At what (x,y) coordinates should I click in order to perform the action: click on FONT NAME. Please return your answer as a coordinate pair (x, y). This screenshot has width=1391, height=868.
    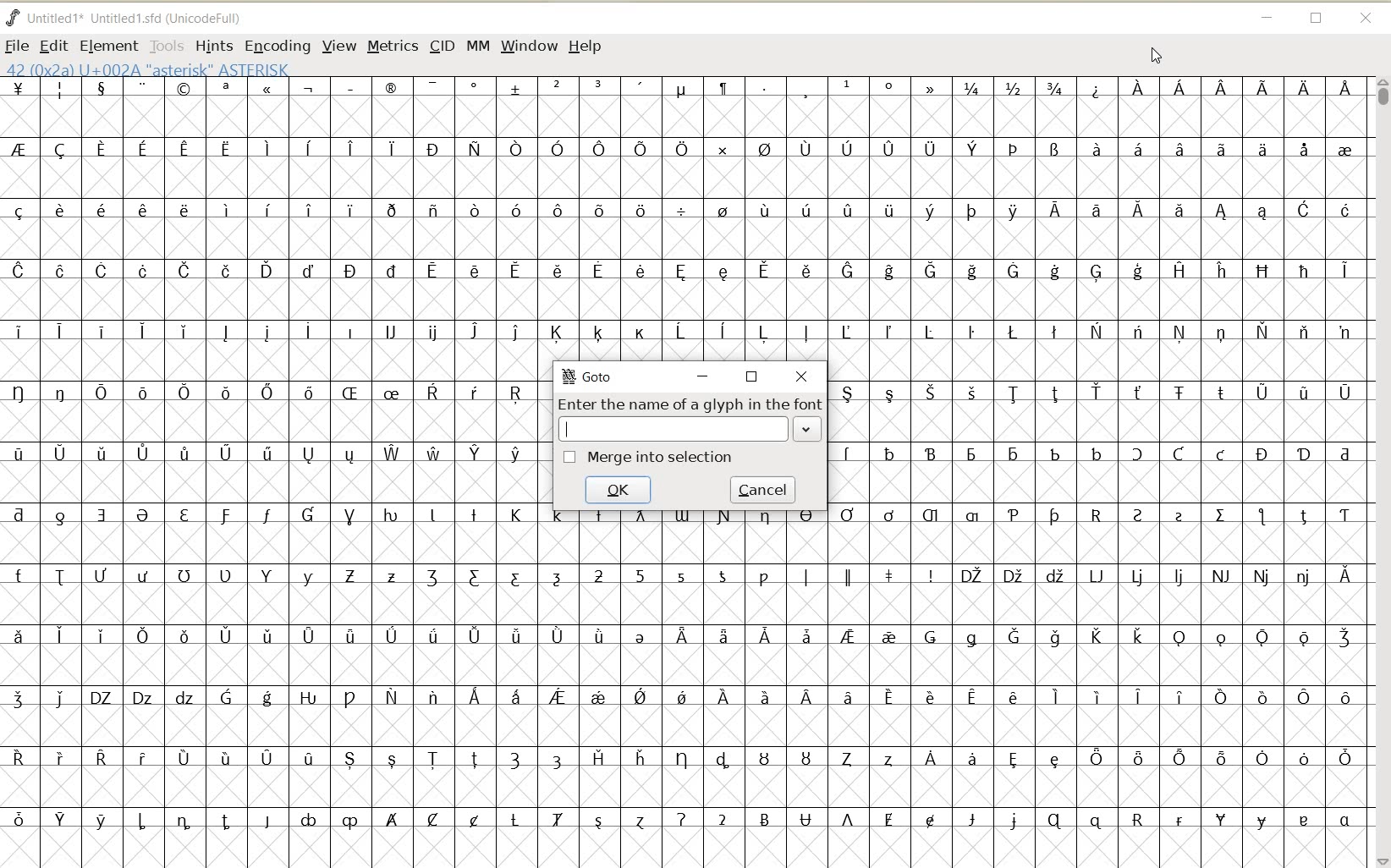
    Looking at the image, I should click on (131, 19).